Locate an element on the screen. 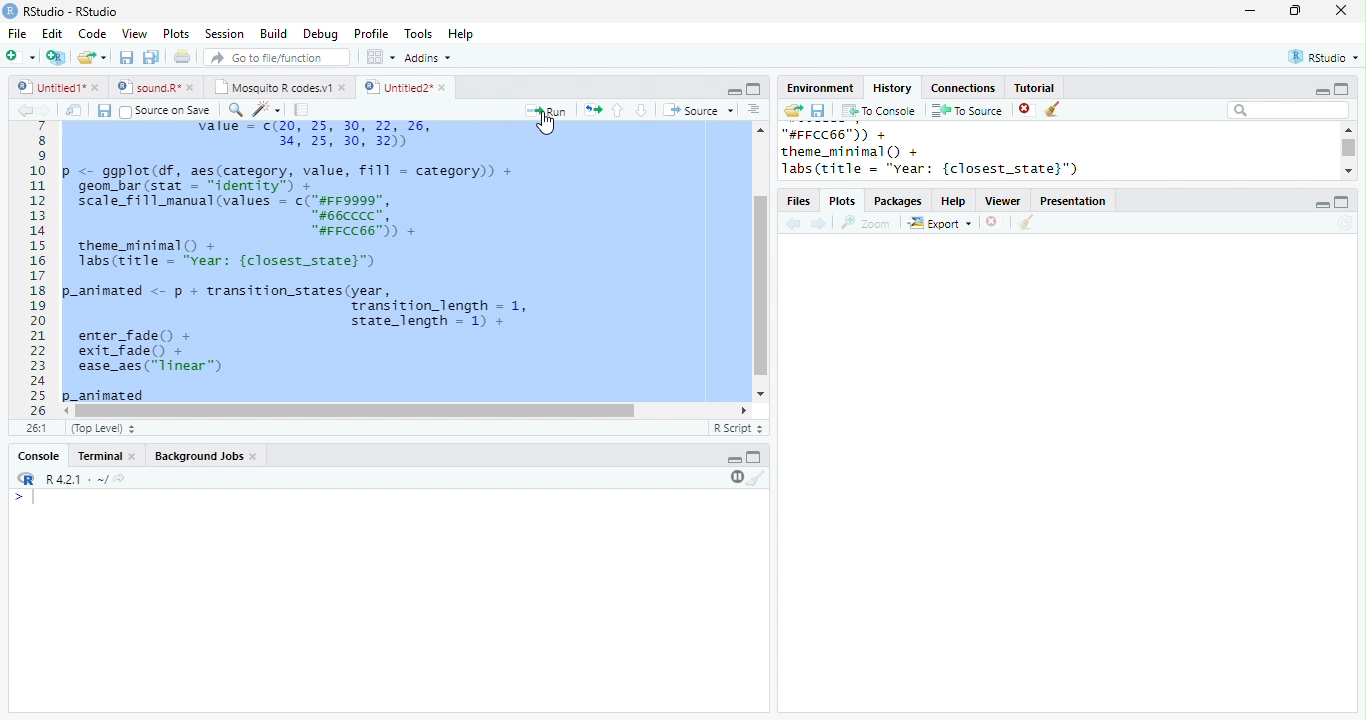  cursor is located at coordinates (546, 123).